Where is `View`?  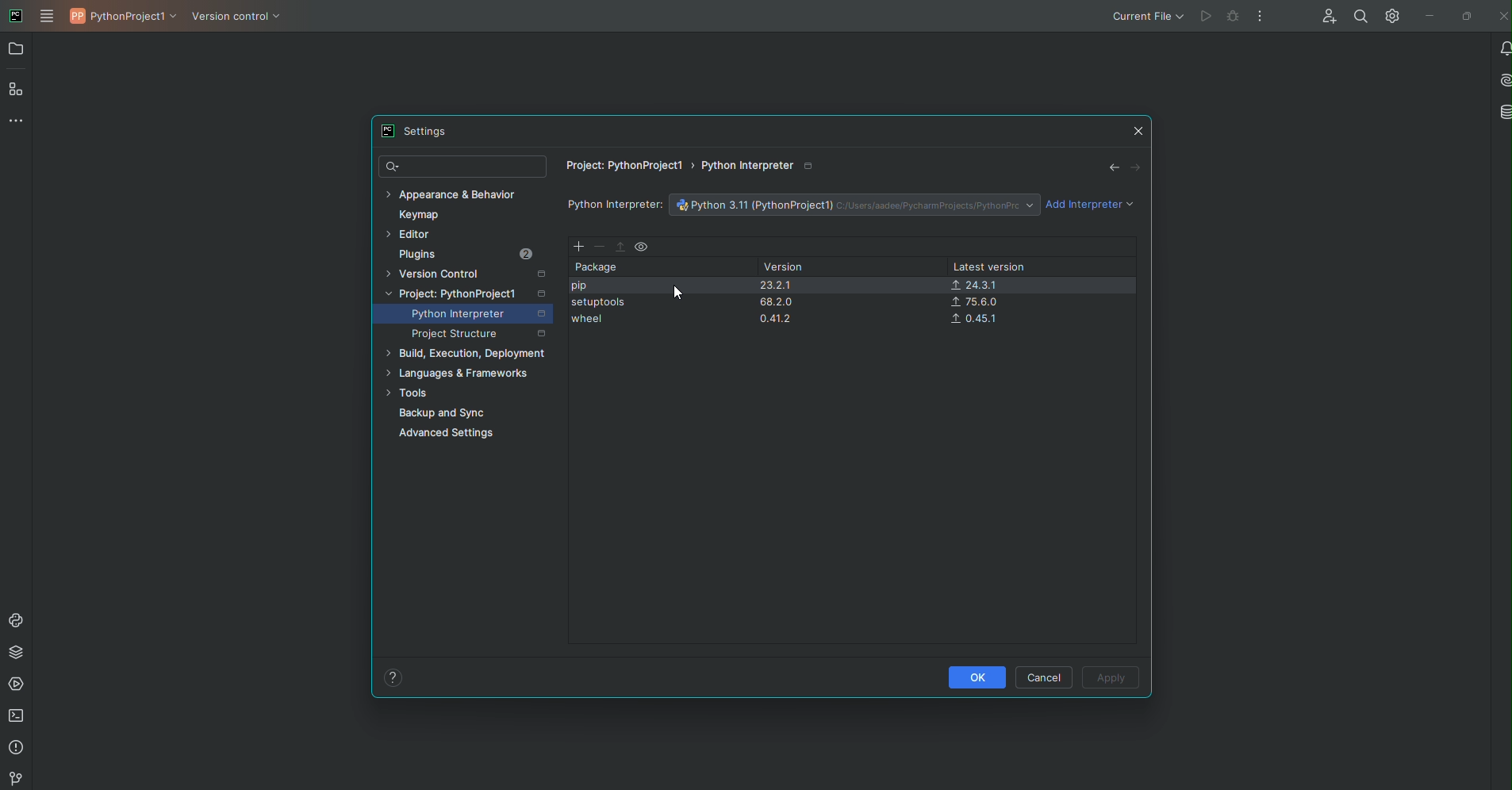 View is located at coordinates (643, 247).